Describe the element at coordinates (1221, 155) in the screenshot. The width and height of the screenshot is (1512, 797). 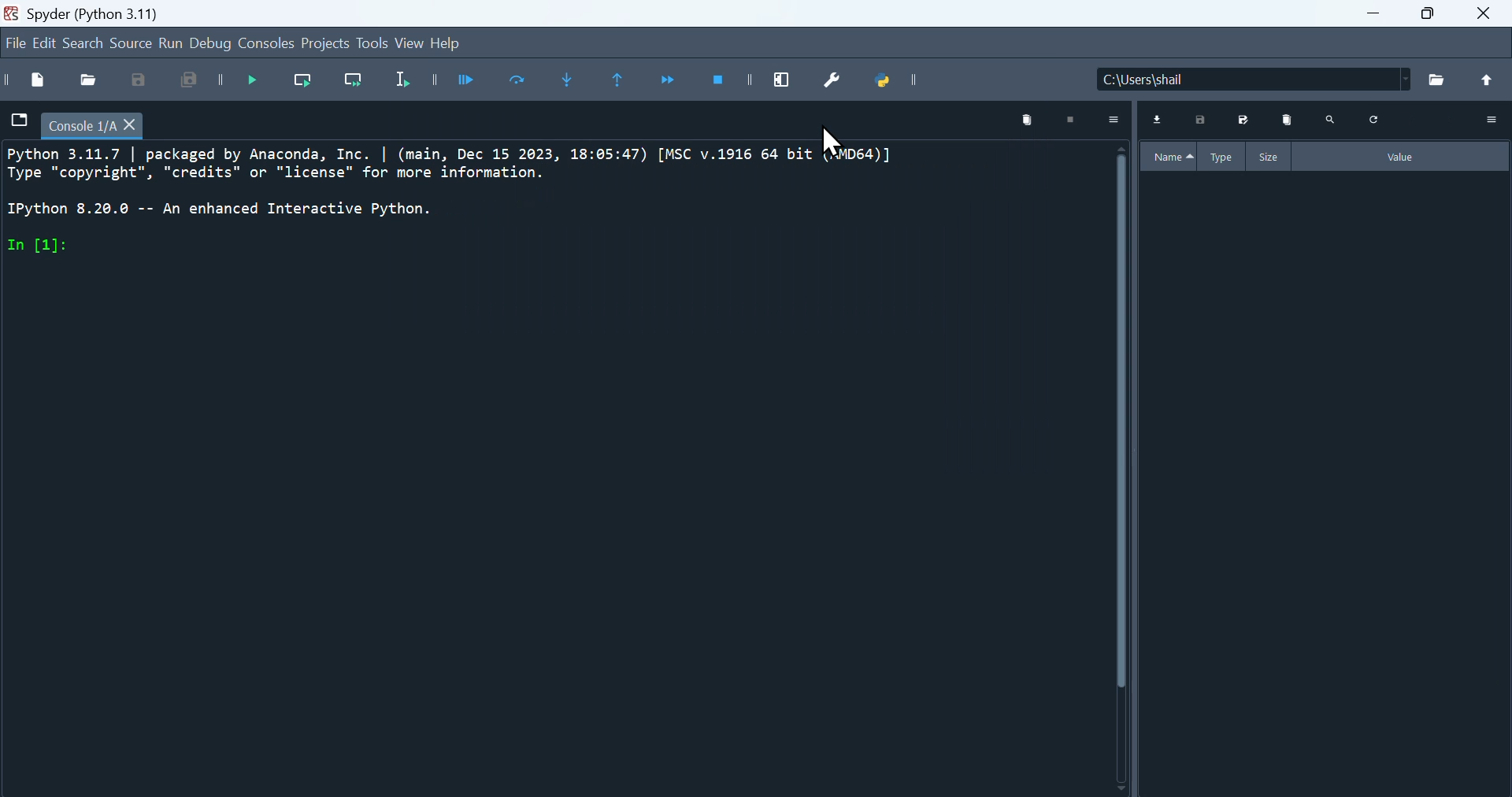
I see `Type` at that location.